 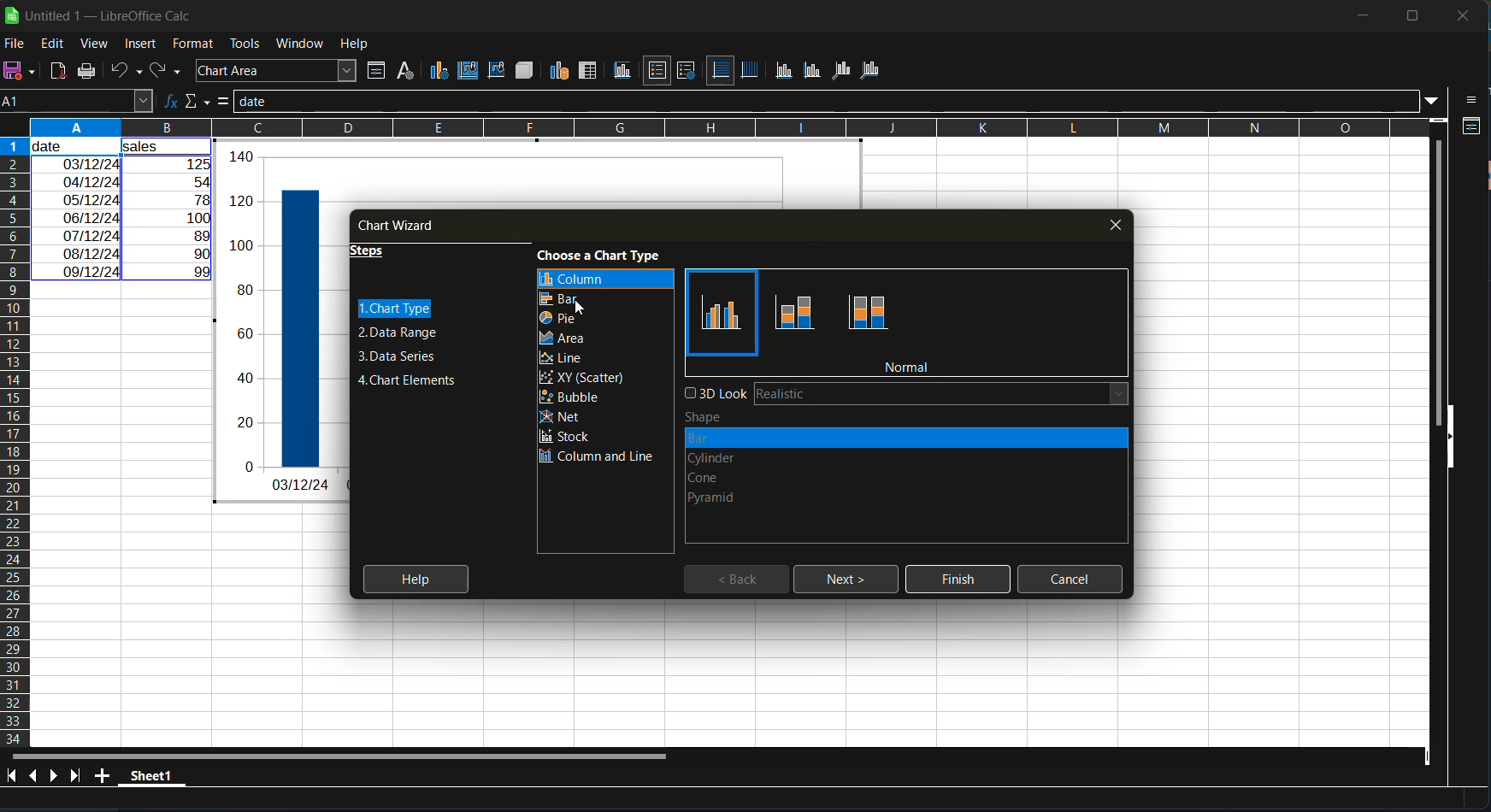 I want to click on close, so click(x=1463, y=15).